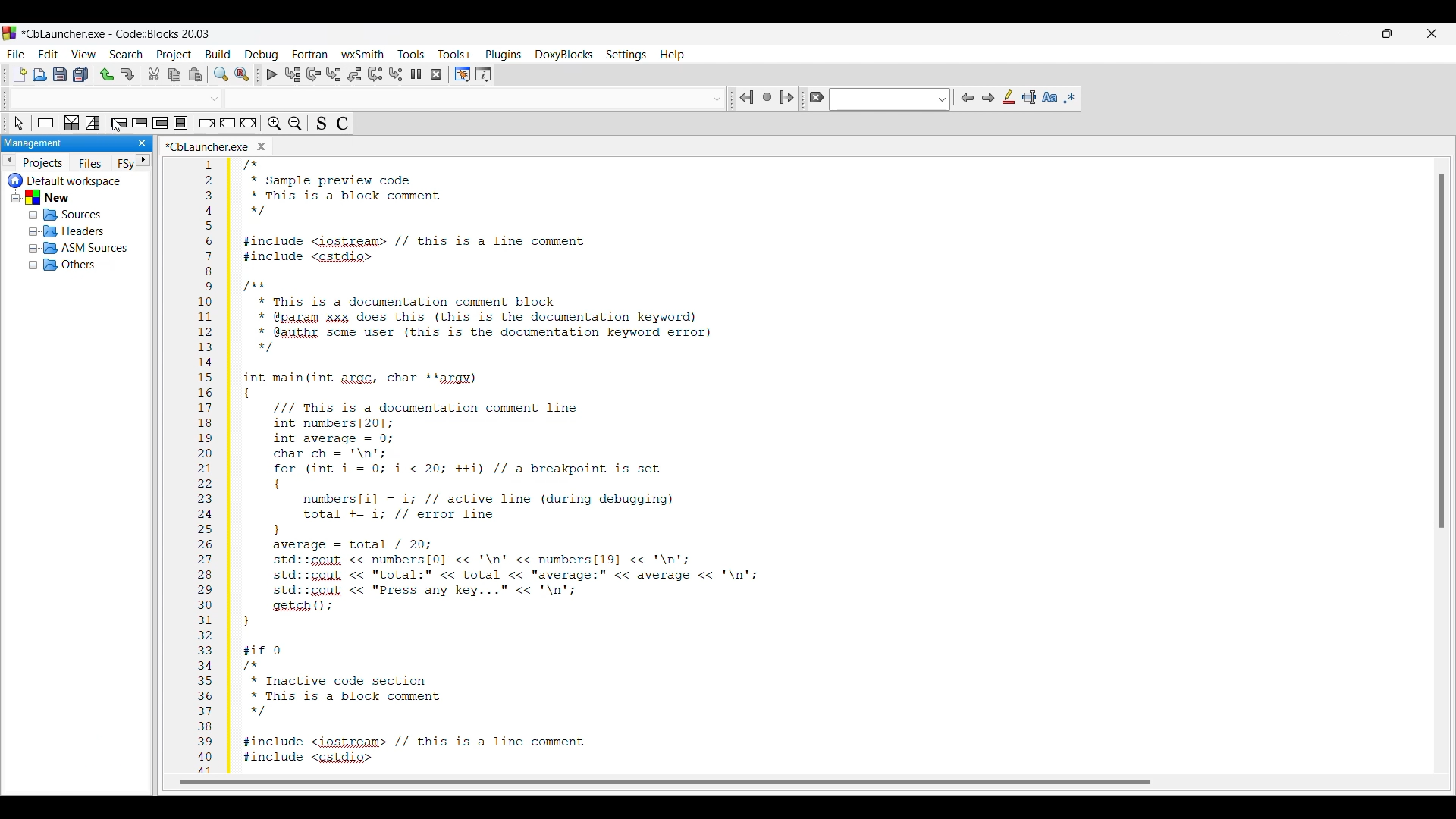 The height and width of the screenshot is (819, 1456). Describe the element at coordinates (16, 55) in the screenshot. I see `File menu` at that location.